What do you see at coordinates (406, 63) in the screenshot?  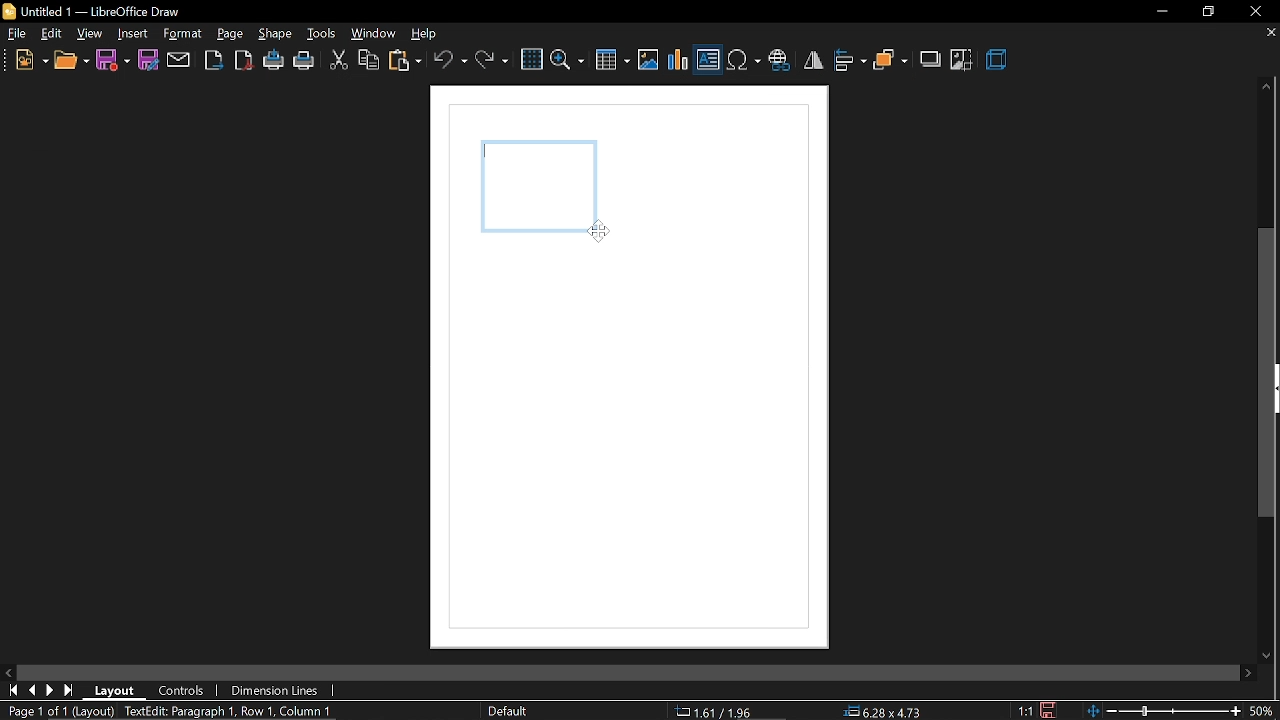 I see `paste` at bounding box center [406, 63].